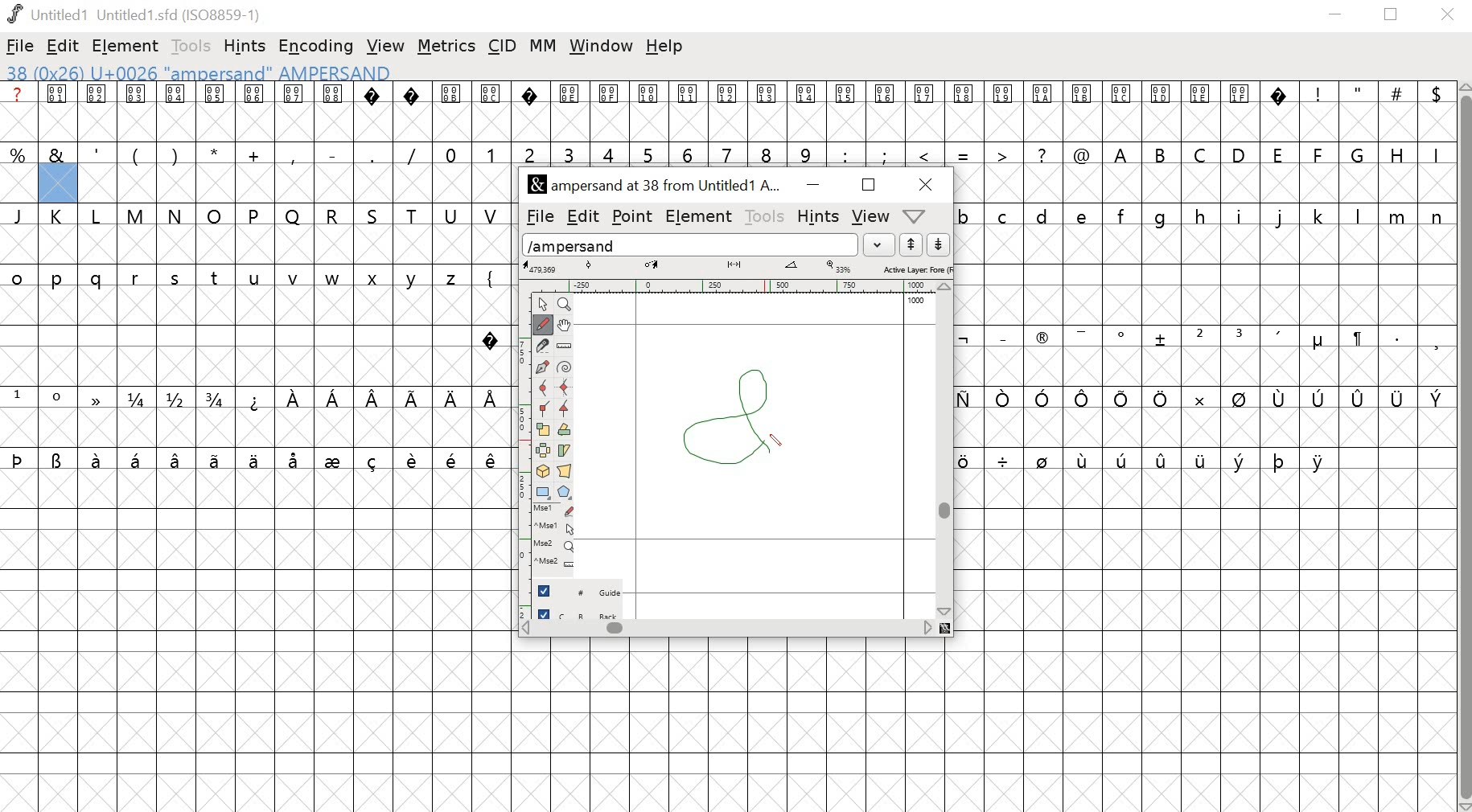  What do you see at coordinates (332, 110) in the screenshot?
I see `0008` at bounding box center [332, 110].